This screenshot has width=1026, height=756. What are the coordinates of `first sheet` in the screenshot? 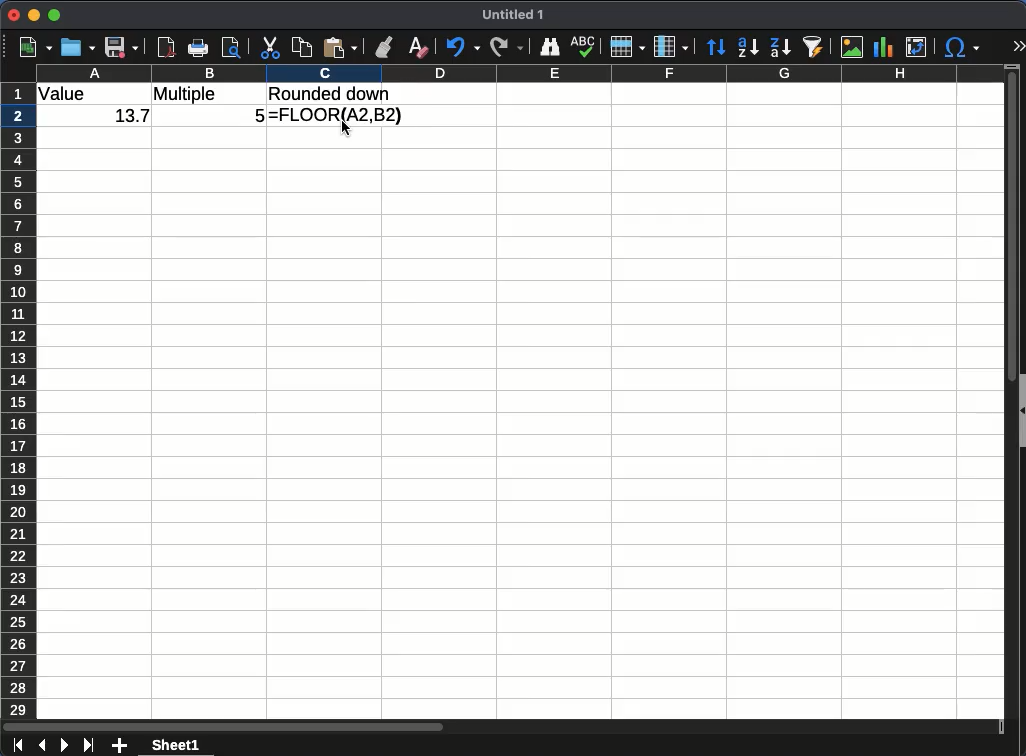 It's located at (19, 746).